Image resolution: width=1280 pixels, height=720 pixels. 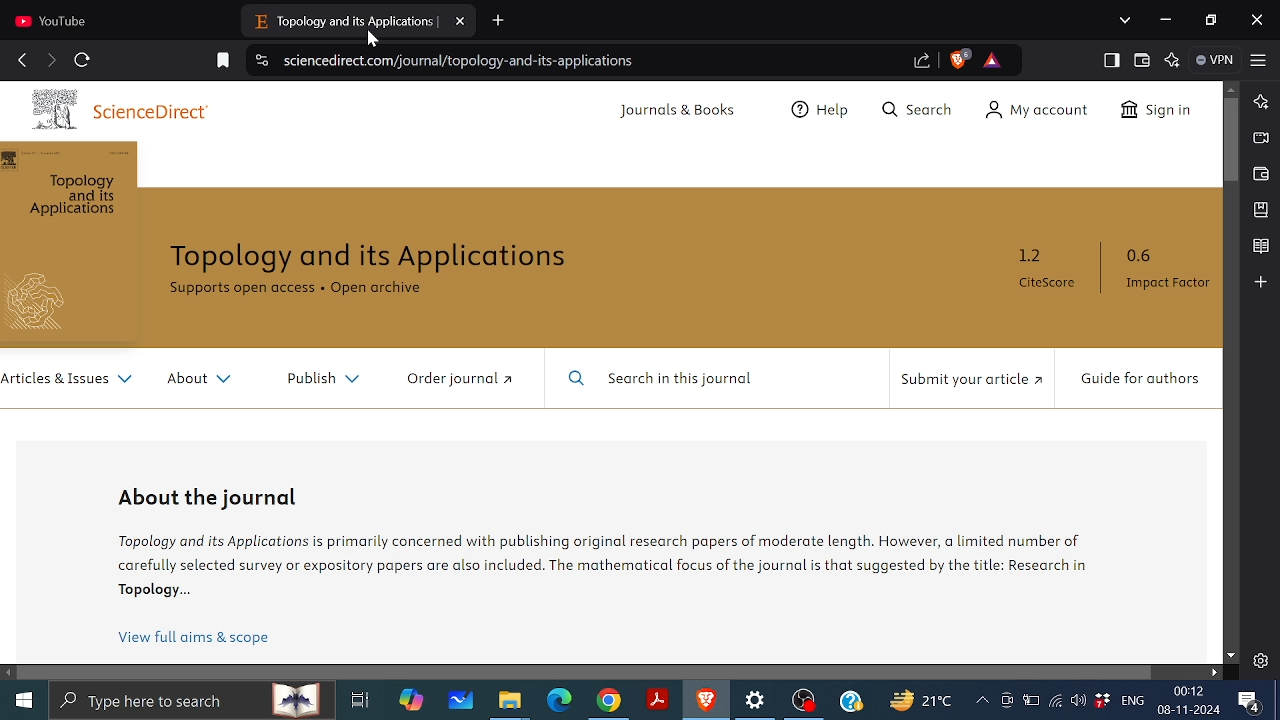 I want to click on Rewards, so click(x=992, y=60).